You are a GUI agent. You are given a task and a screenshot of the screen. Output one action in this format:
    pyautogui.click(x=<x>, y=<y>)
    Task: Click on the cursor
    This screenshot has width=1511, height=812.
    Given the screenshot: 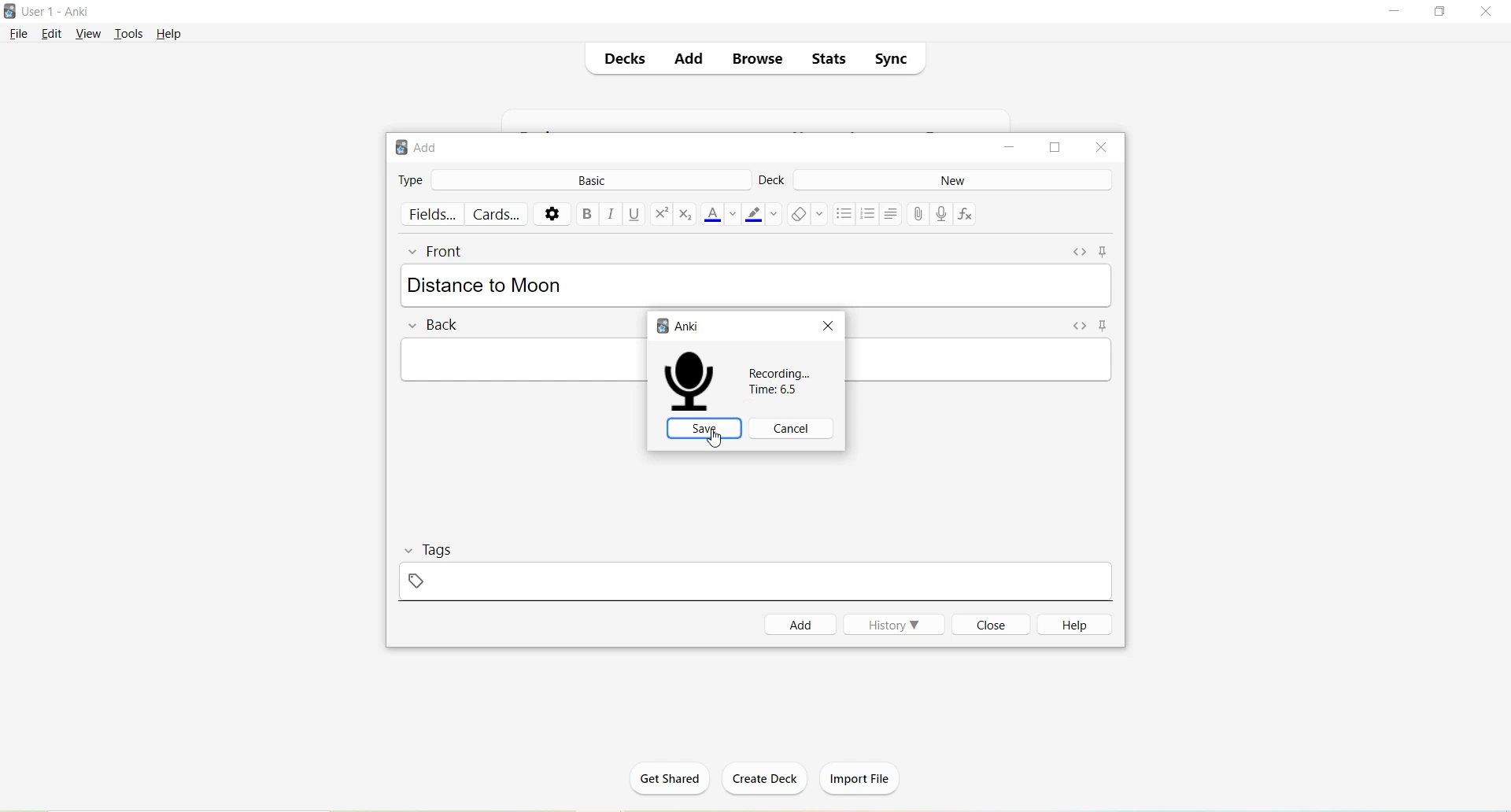 What is the action you would take?
    pyautogui.click(x=715, y=439)
    